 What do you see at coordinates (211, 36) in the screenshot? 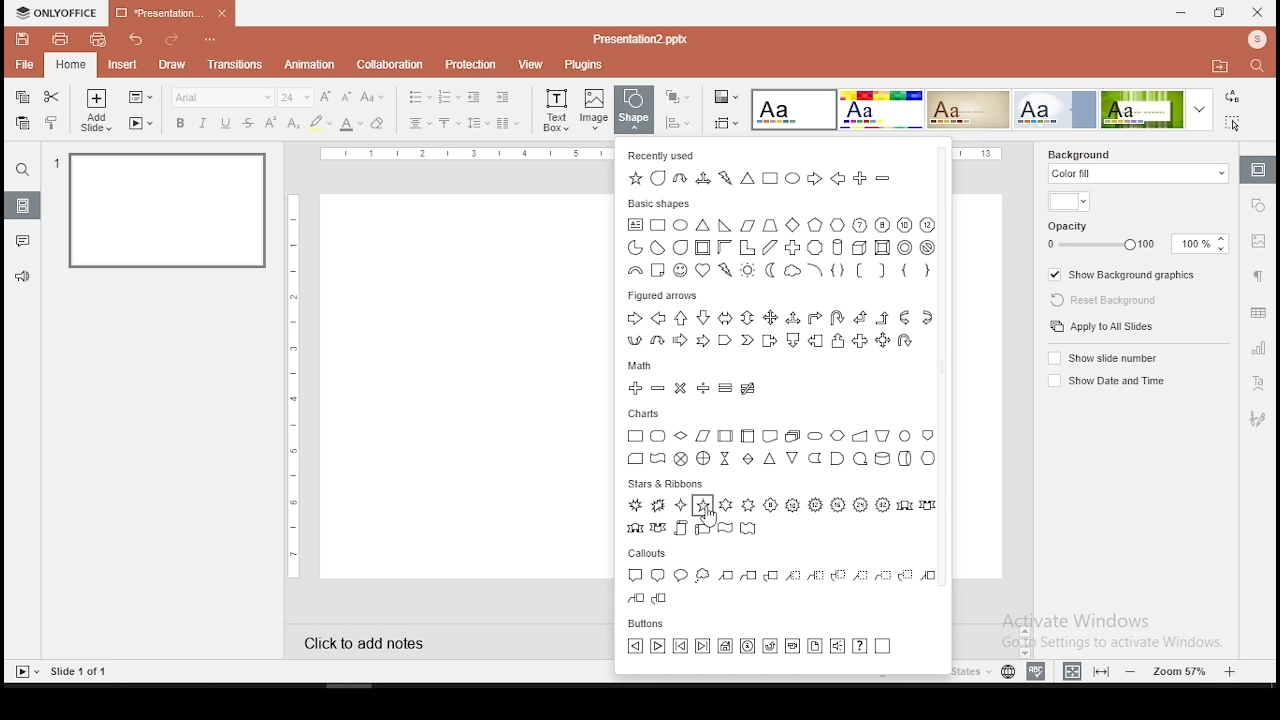
I see `customize quick access toolbar` at bounding box center [211, 36].